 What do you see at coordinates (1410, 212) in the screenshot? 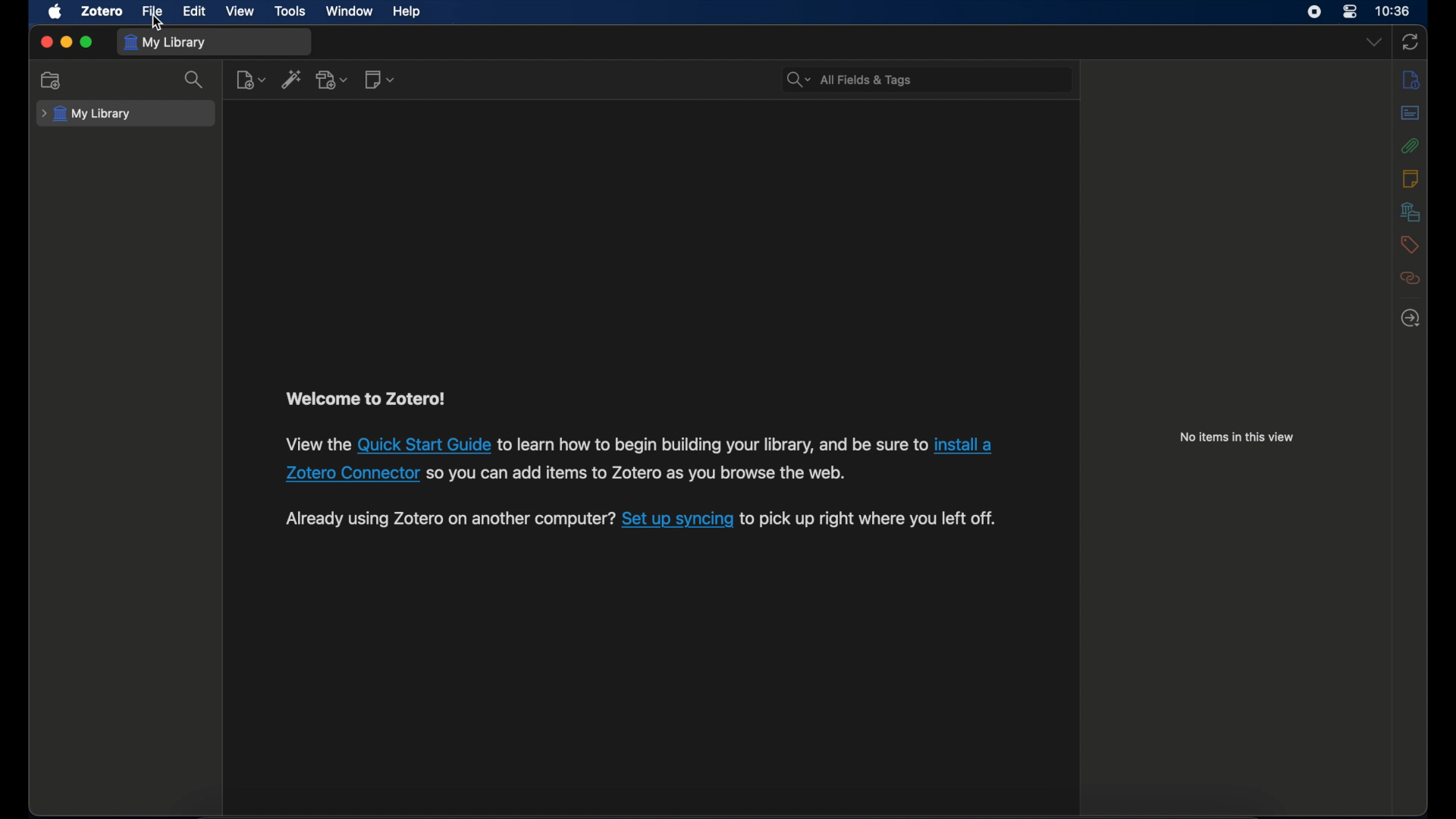
I see `libraries` at bounding box center [1410, 212].